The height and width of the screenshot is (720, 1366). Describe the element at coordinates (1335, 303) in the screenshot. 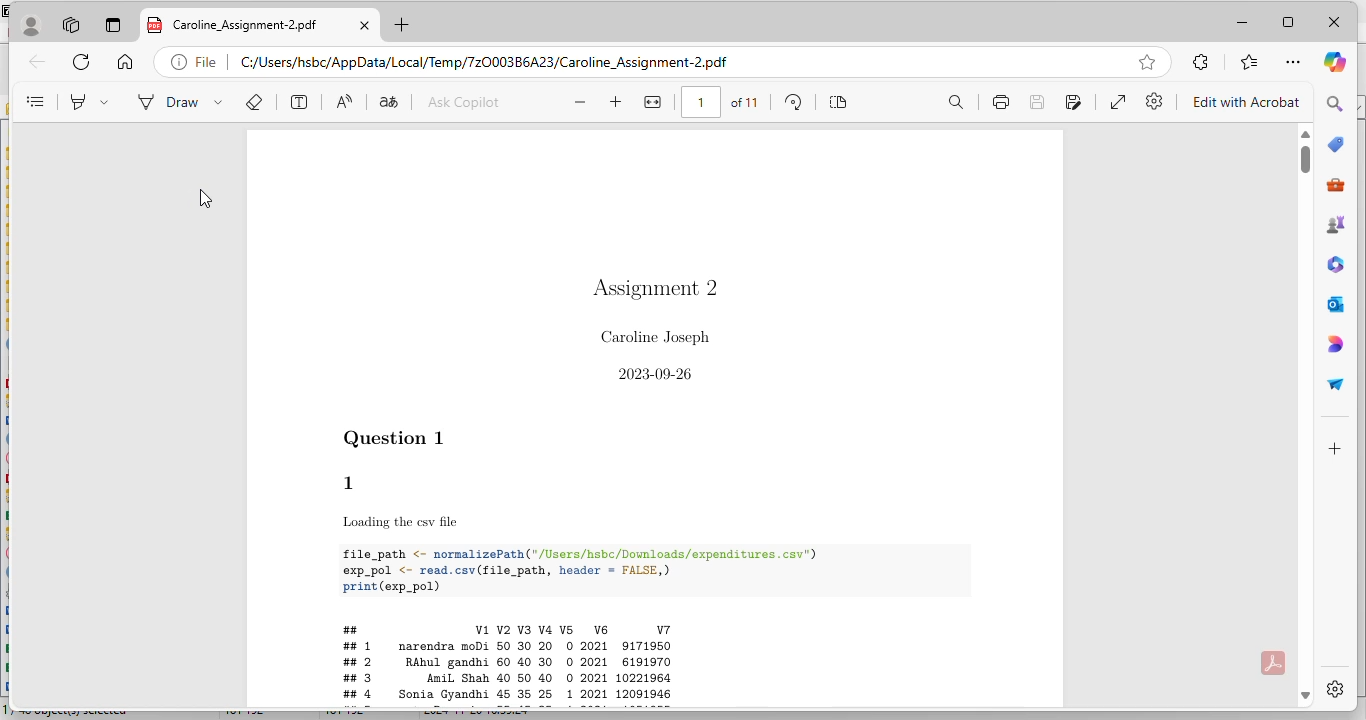

I see `outlook` at that location.